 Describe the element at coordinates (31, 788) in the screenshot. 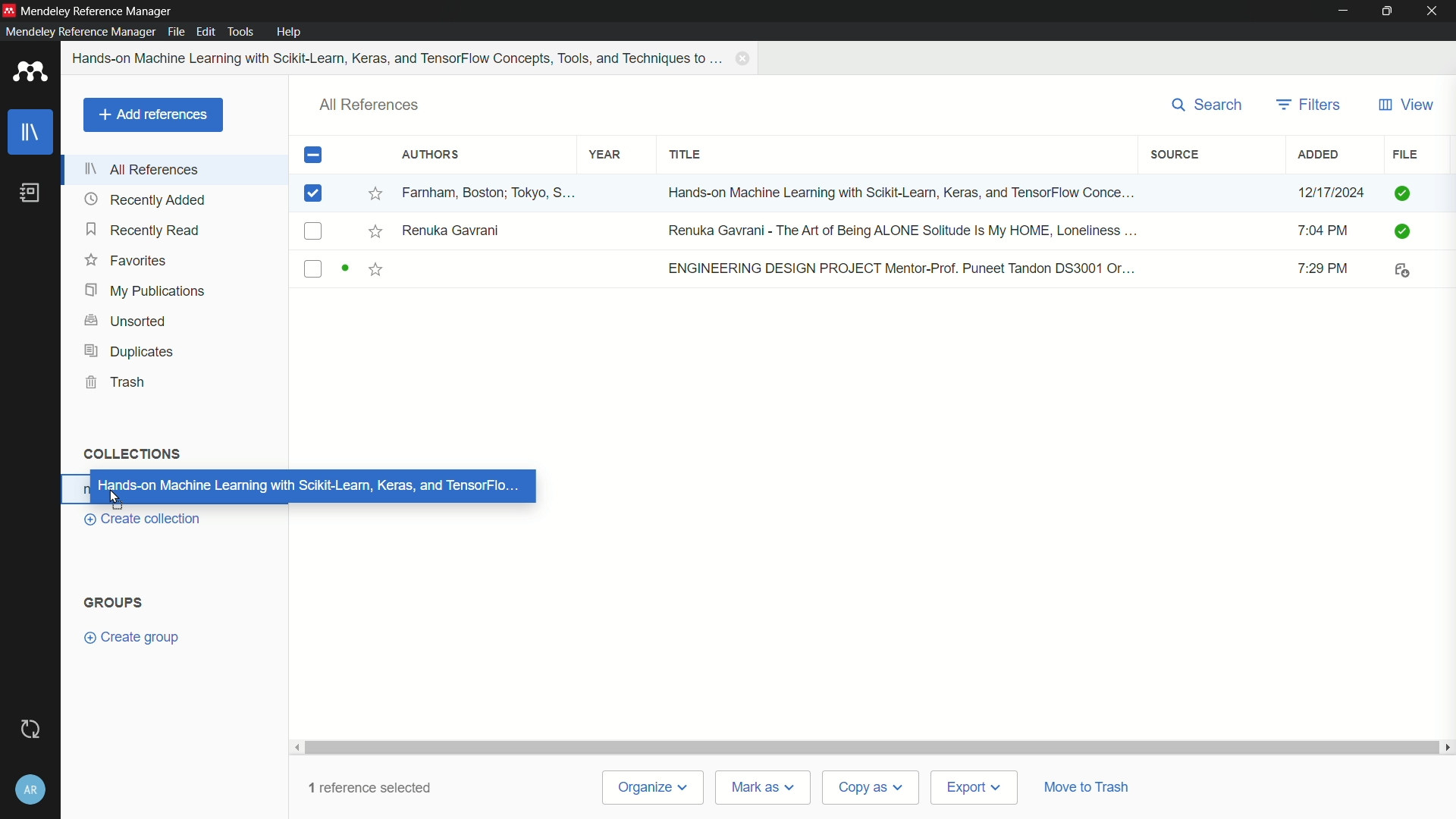

I see `account and settings` at that location.